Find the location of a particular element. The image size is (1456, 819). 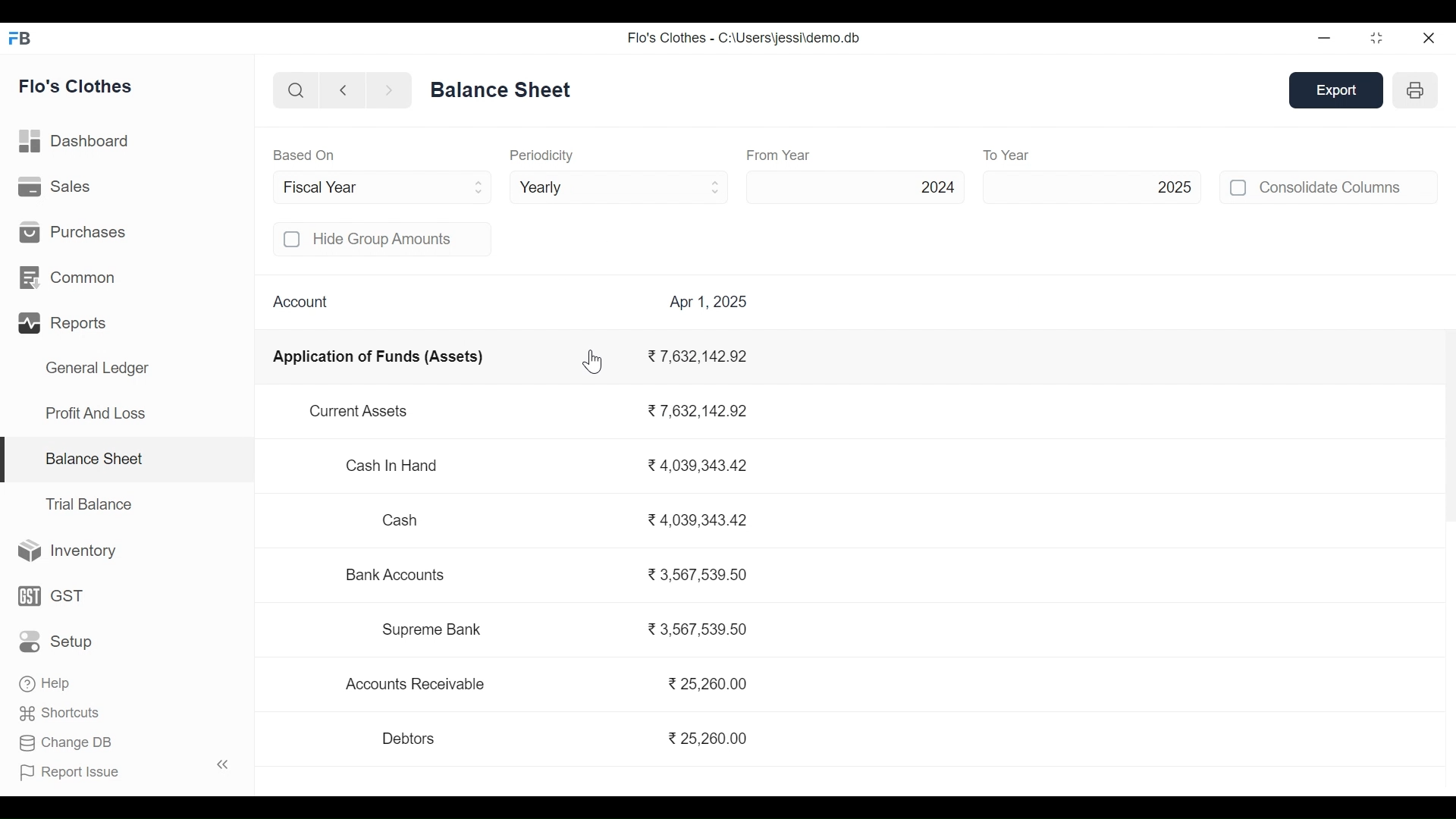

backward is located at coordinates (344, 92).